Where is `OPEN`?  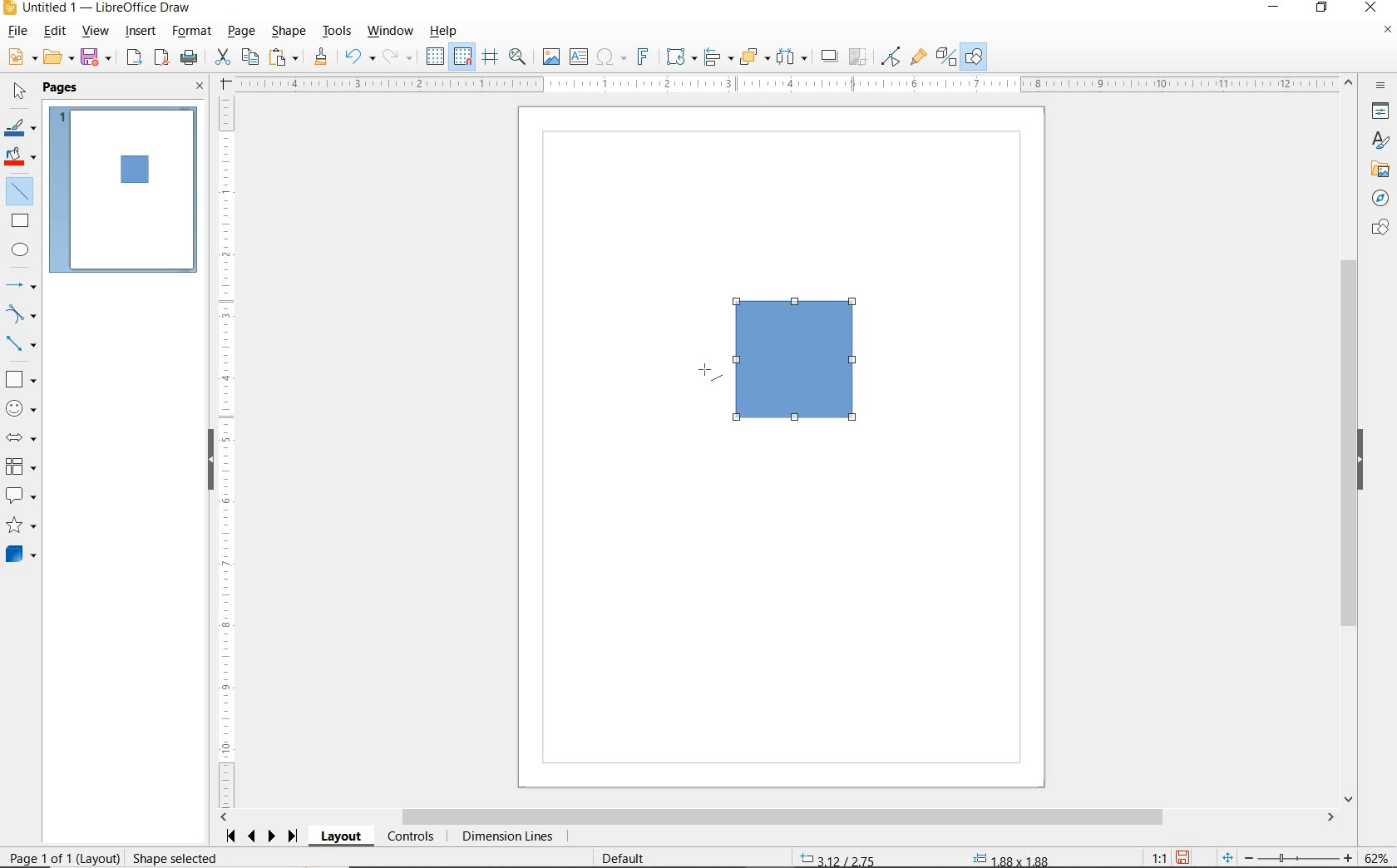 OPEN is located at coordinates (59, 57).